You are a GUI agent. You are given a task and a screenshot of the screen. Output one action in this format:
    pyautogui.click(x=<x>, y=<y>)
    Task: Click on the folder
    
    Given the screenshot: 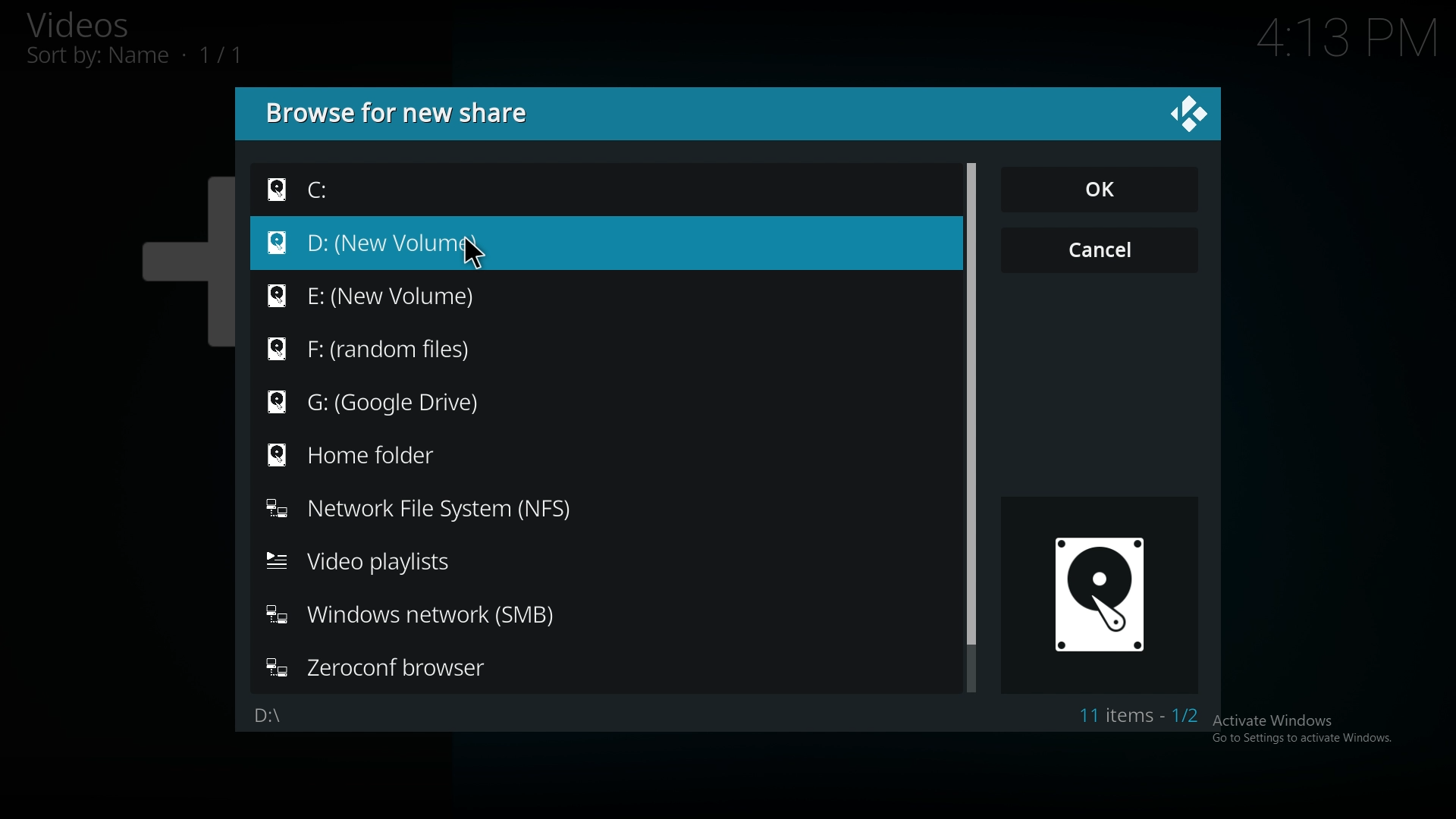 What is the action you would take?
    pyautogui.click(x=381, y=668)
    